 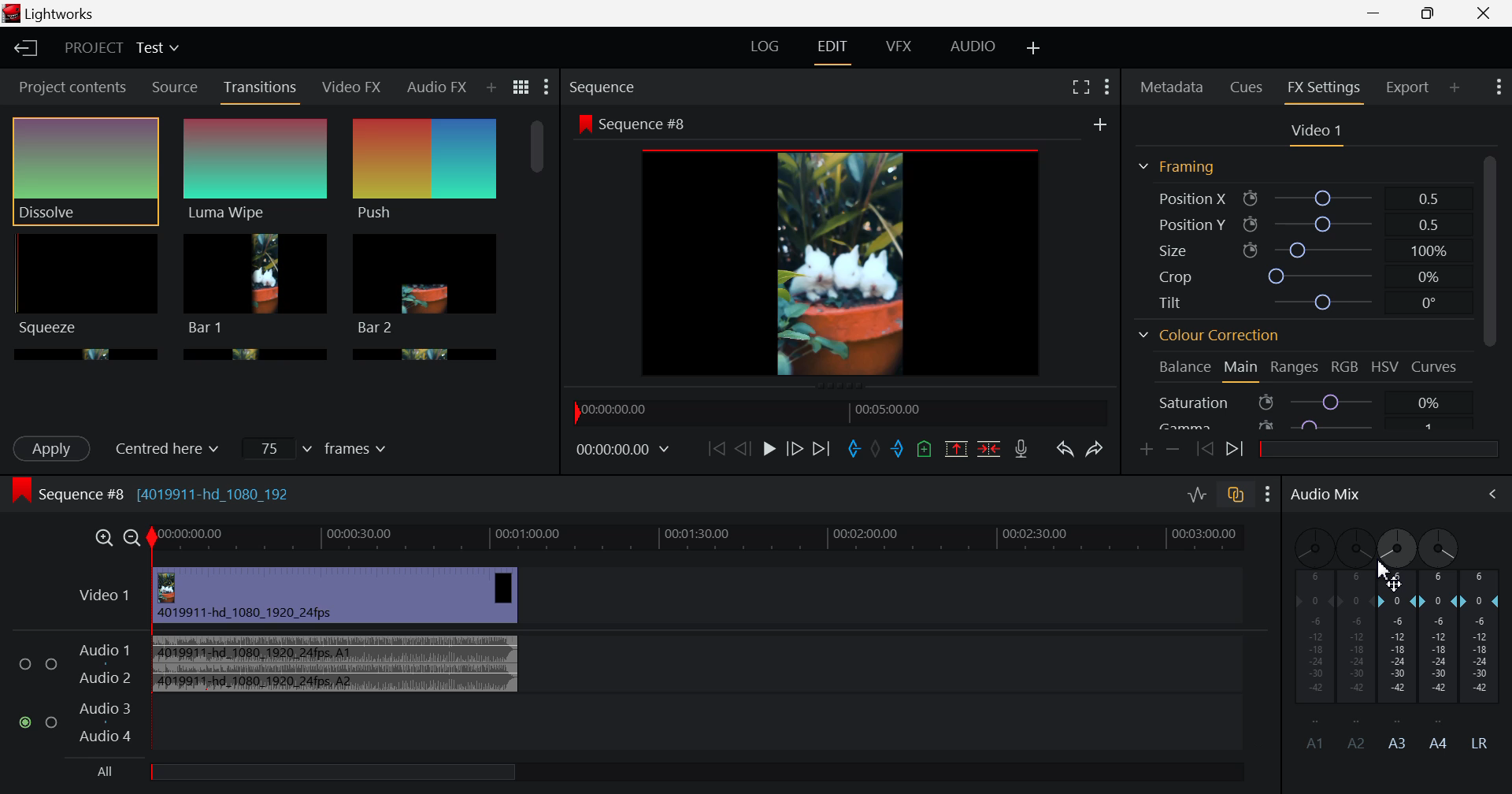 I want to click on Toggle list and title view, so click(x=523, y=88).